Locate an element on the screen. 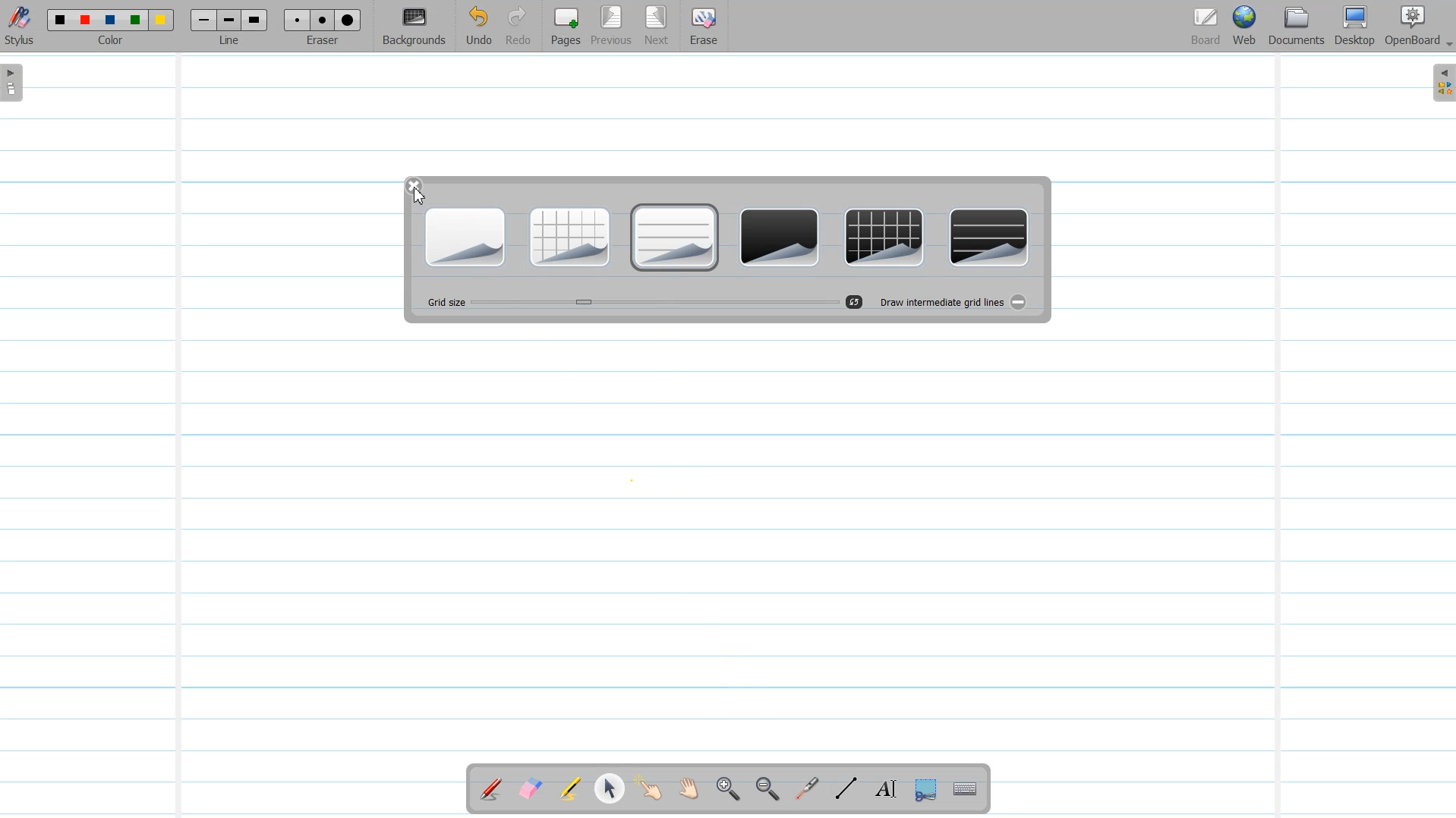 The height and width of the screenshot is (818, 1456). Ruler Light Background is located at coordinates (673, 237).